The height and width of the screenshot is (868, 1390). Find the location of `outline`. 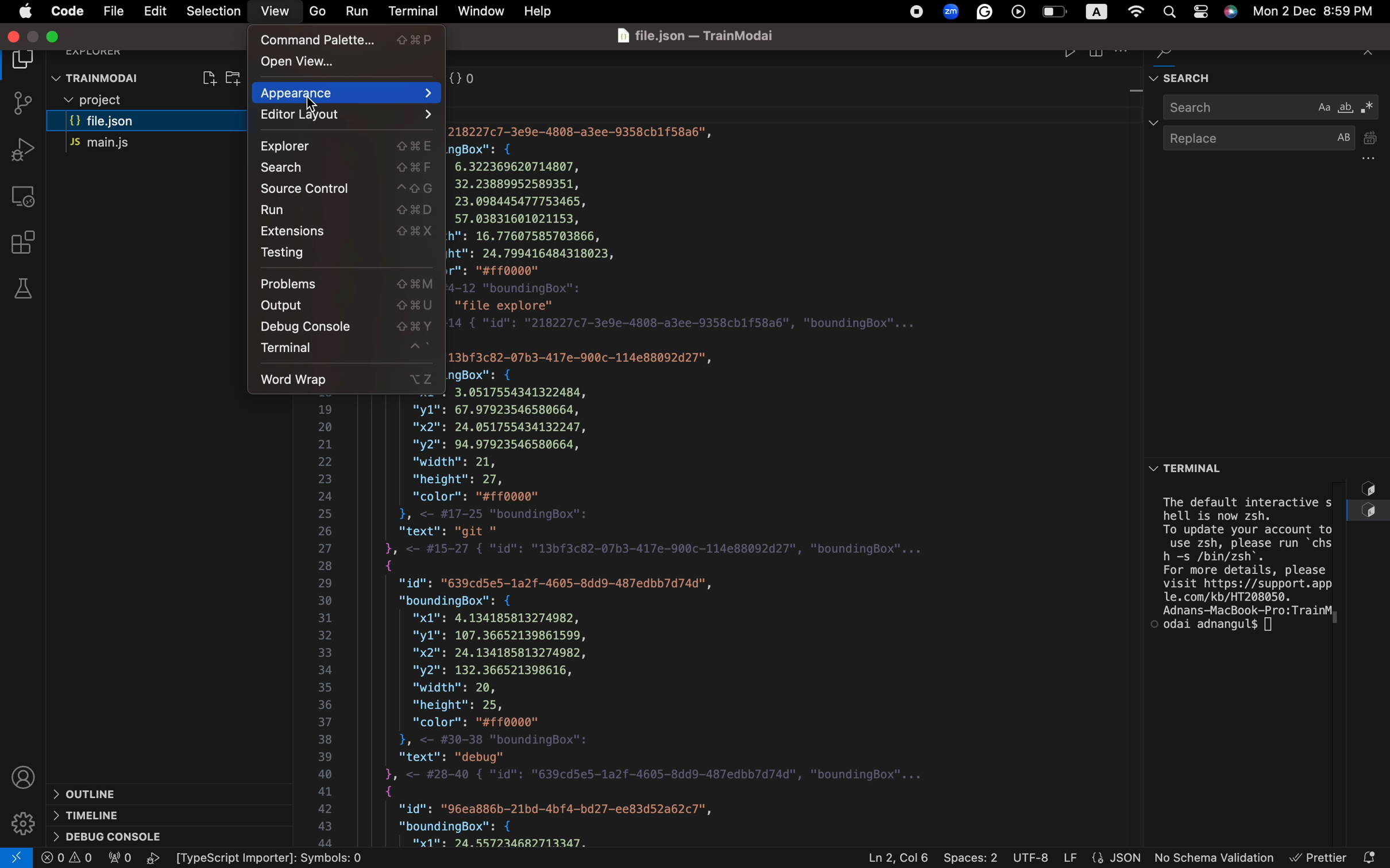

outline is located at coordinates (142, 792).